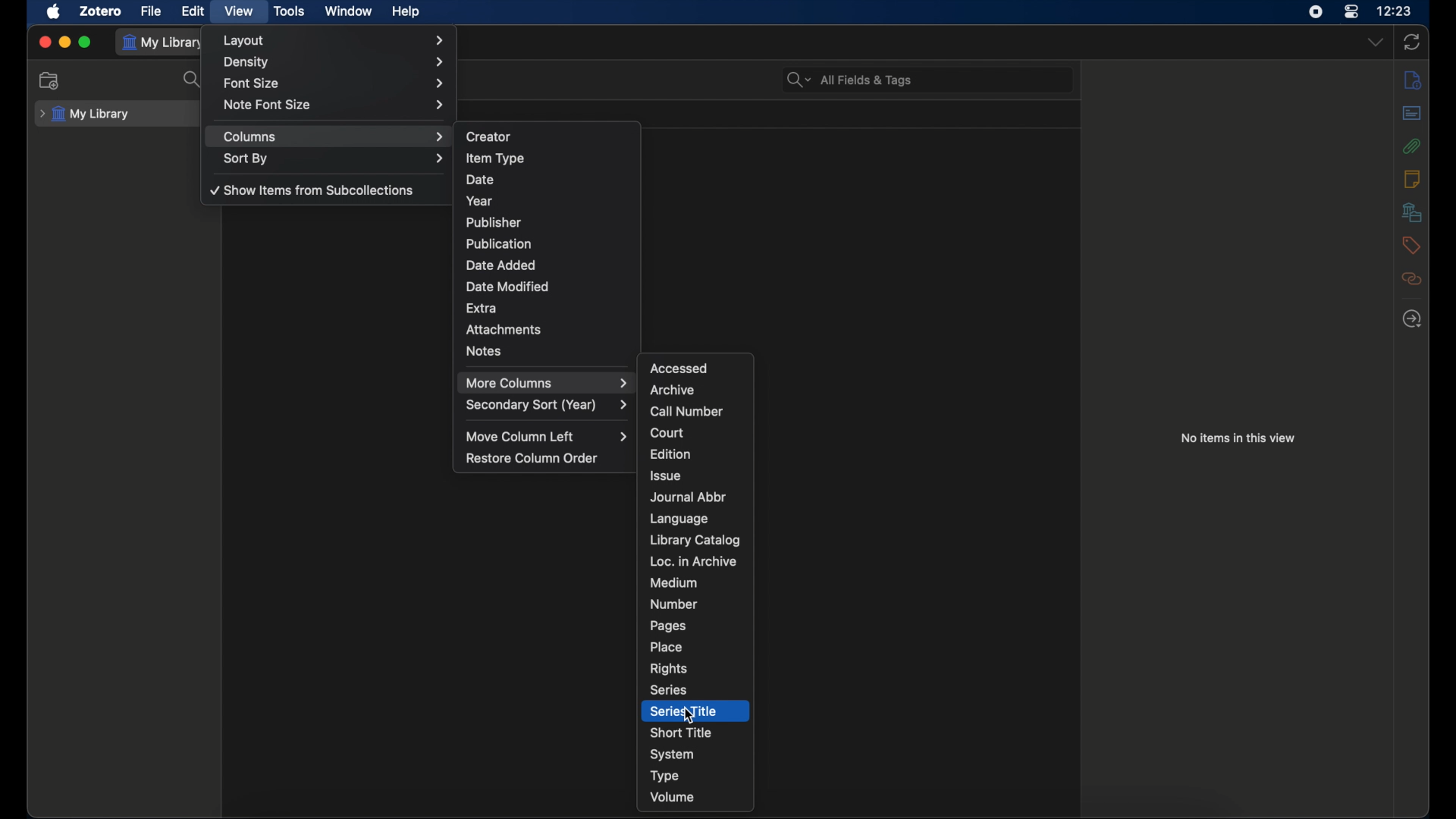  Describe the element at coordinates (673, 583) in the screenshot. I see `medium` at that location.